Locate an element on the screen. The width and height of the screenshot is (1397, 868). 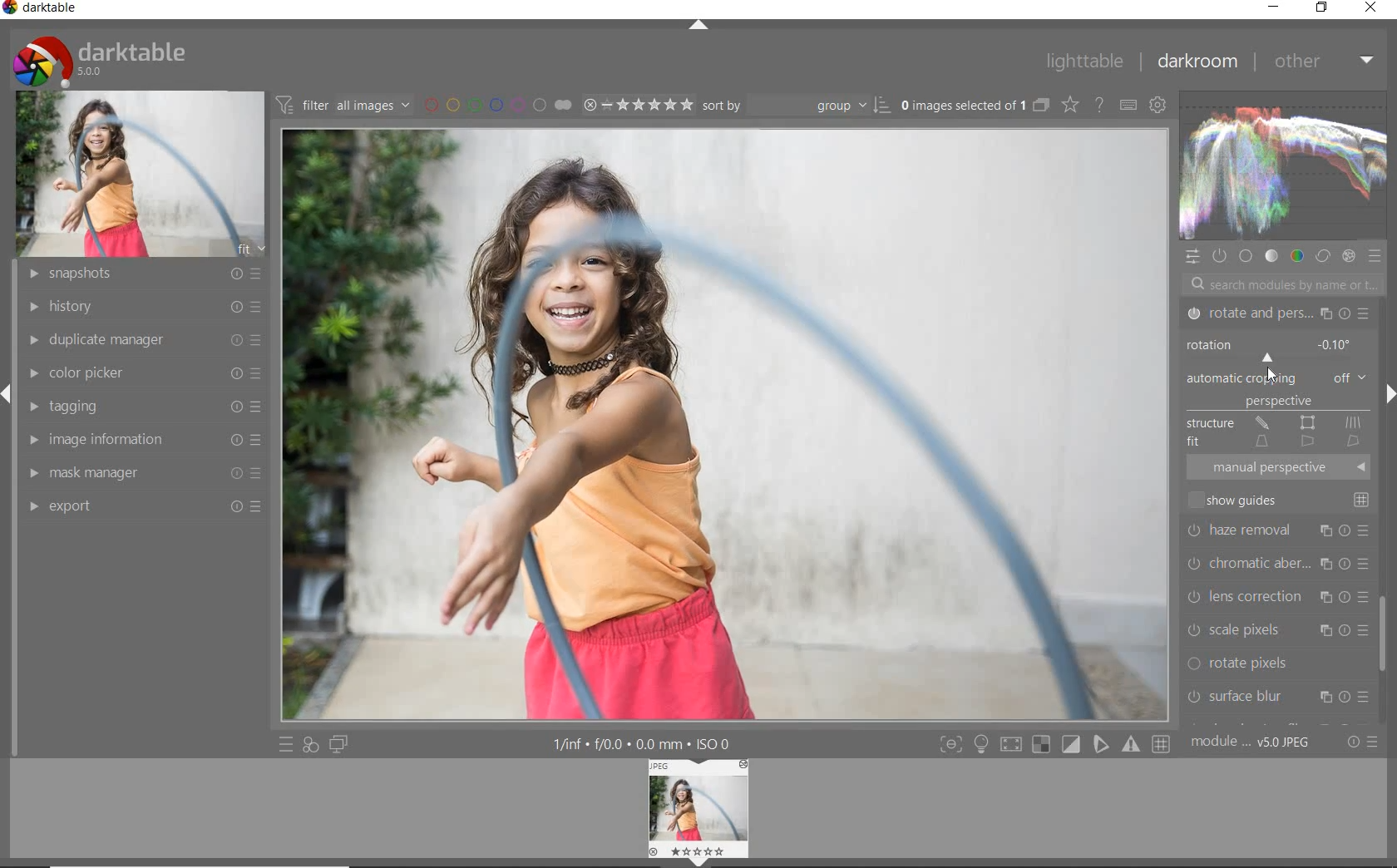
lens correction is located at coordinates (1277, 594).